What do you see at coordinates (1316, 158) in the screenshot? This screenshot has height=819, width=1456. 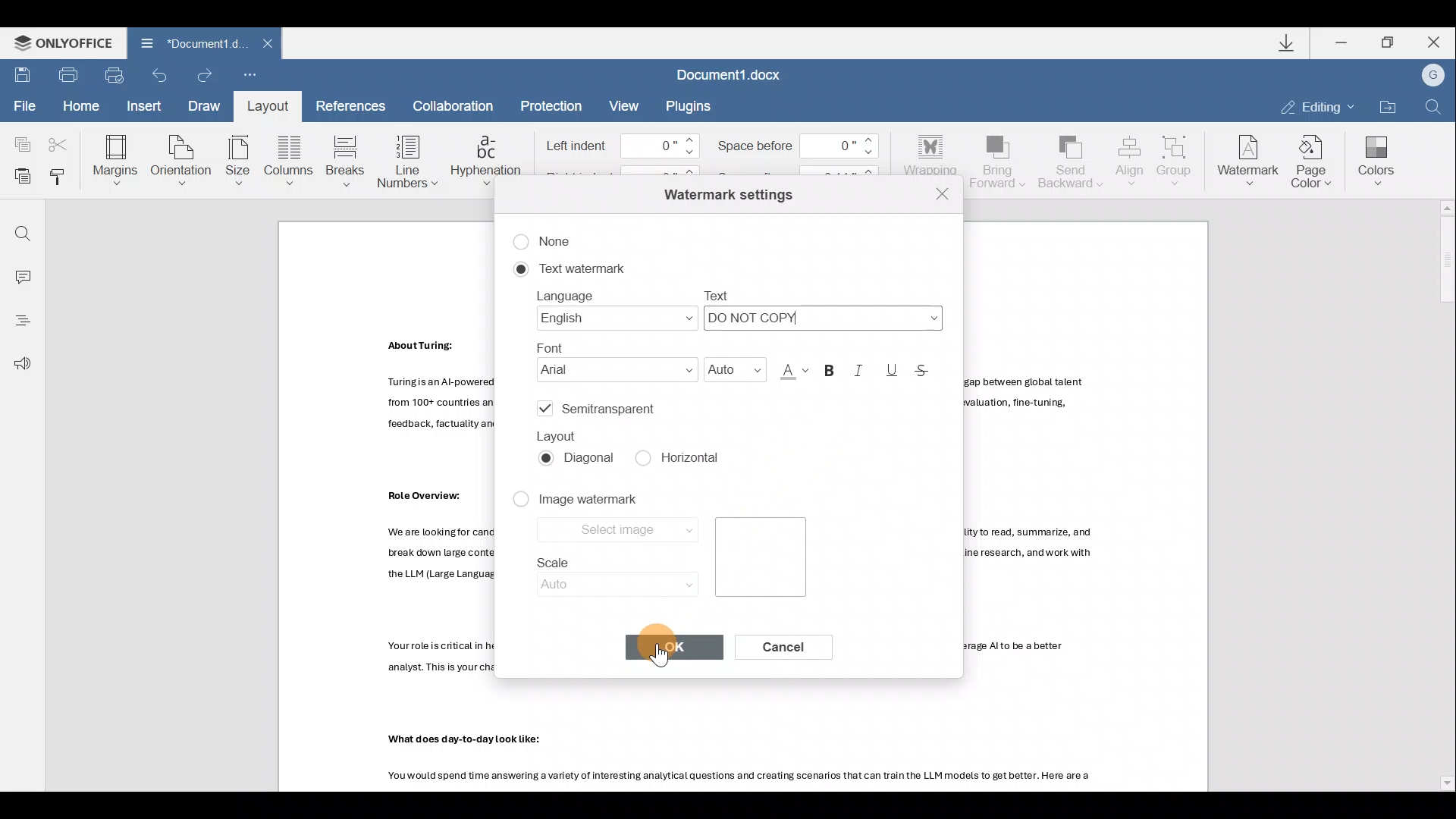 I see `Page color` at bounding box center [1316, 158].